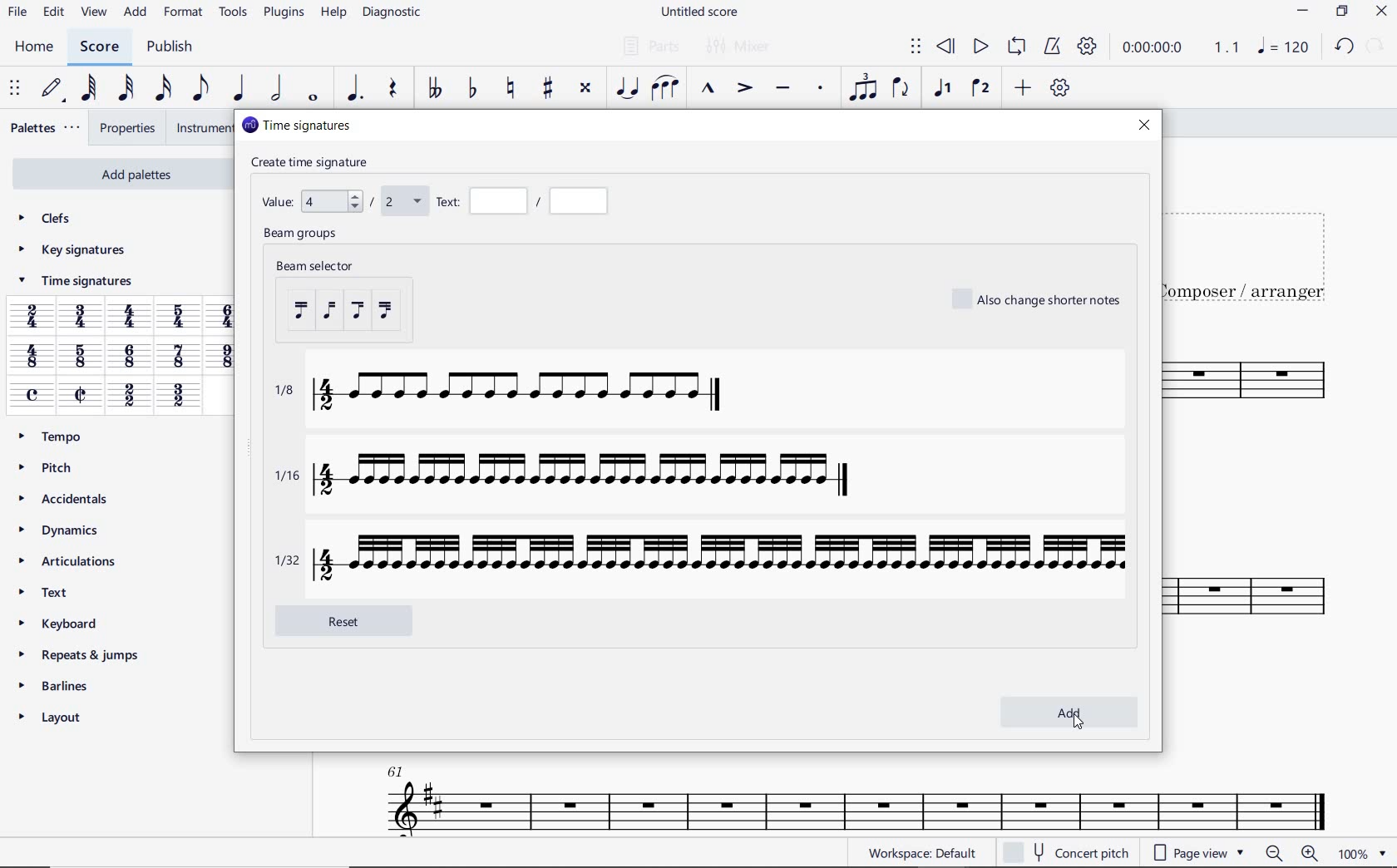  Describe the element at coordinates (1196, 852) in the screenshot. I see `page view` at that location.